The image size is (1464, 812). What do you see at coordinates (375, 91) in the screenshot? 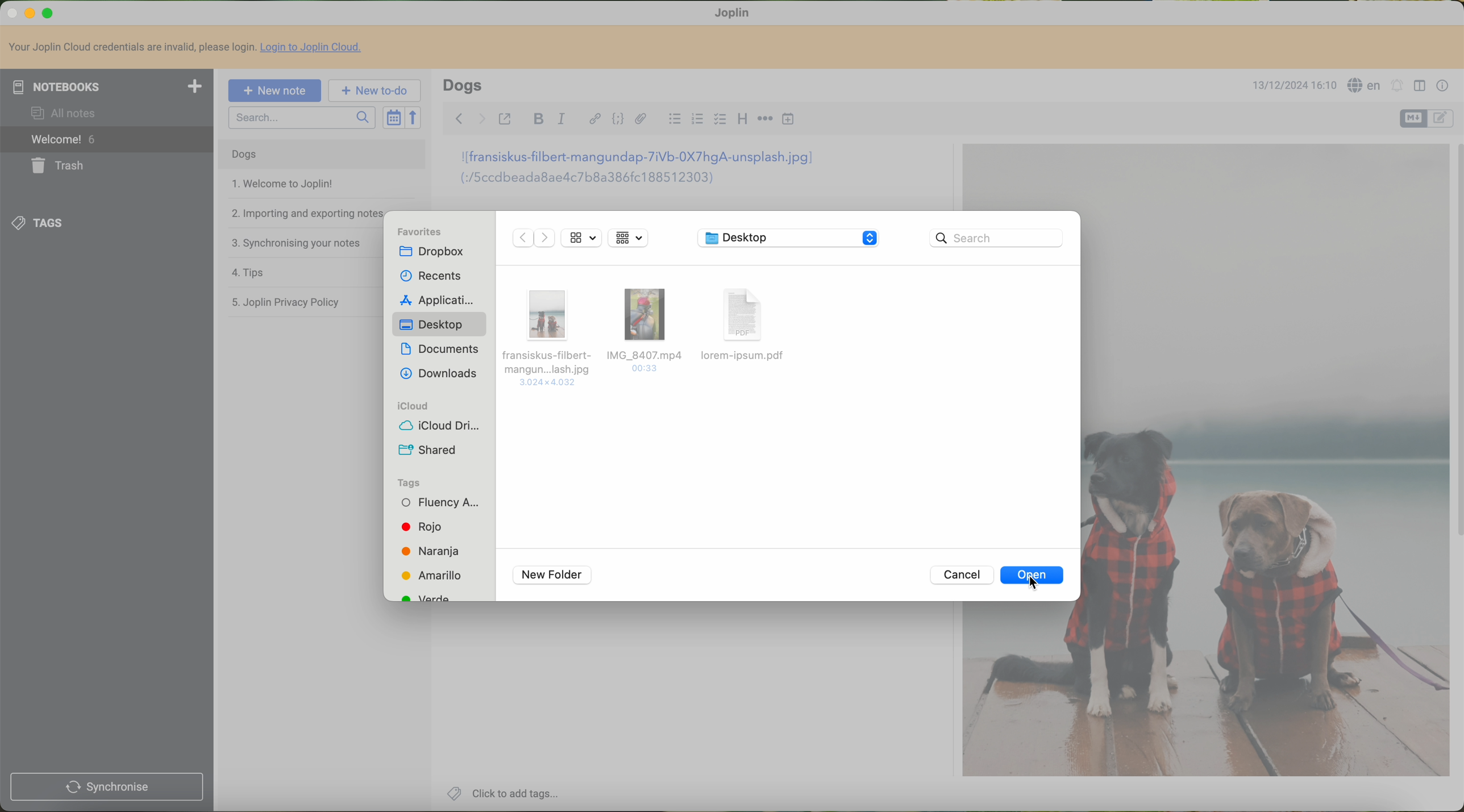
I see `new to-do` at bounding box center [375, 91].